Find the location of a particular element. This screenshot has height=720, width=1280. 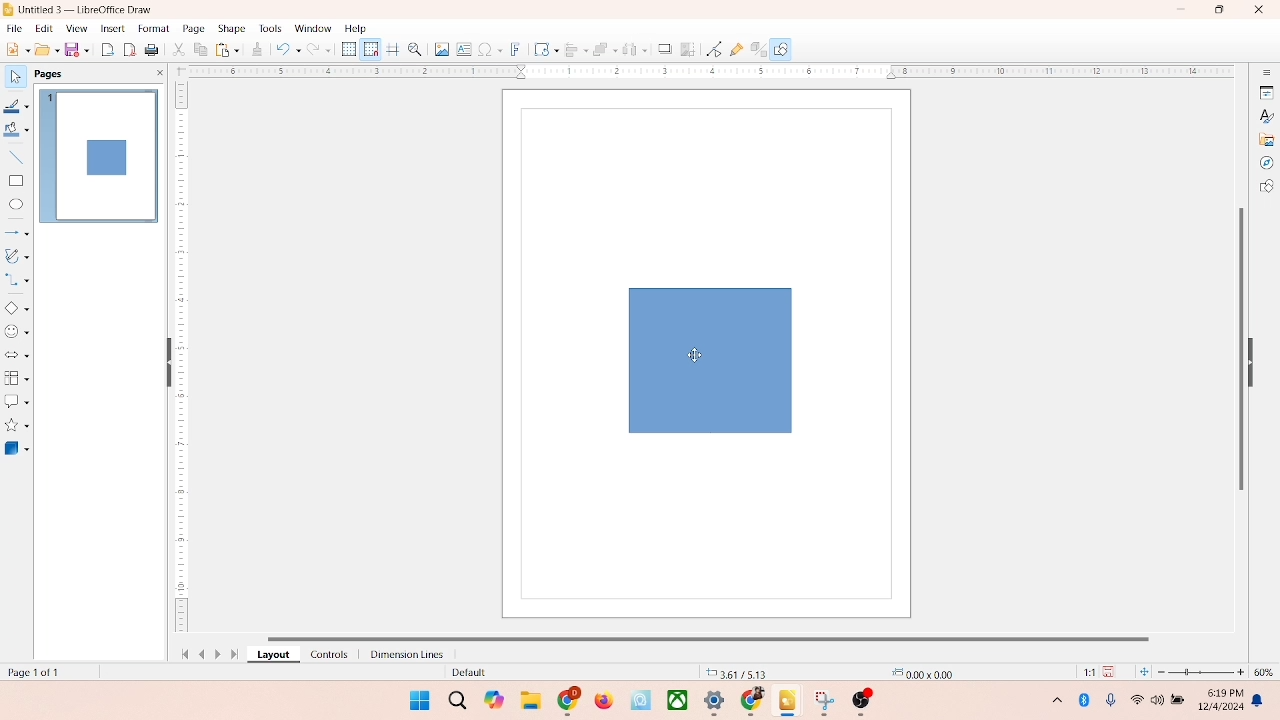

line color is located at coordinates (17, 106).